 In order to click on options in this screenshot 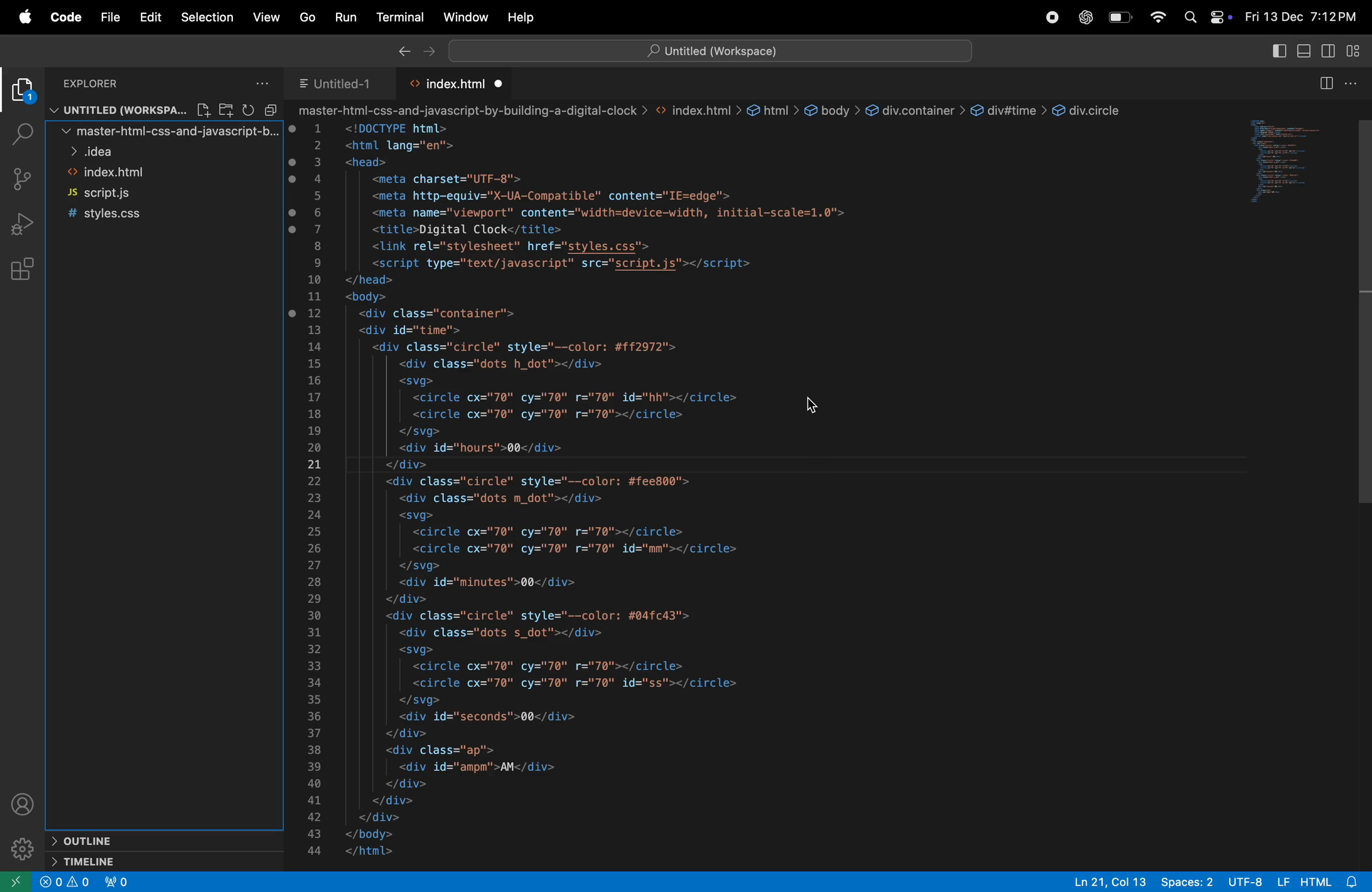, I will do `click(263, 82)`.